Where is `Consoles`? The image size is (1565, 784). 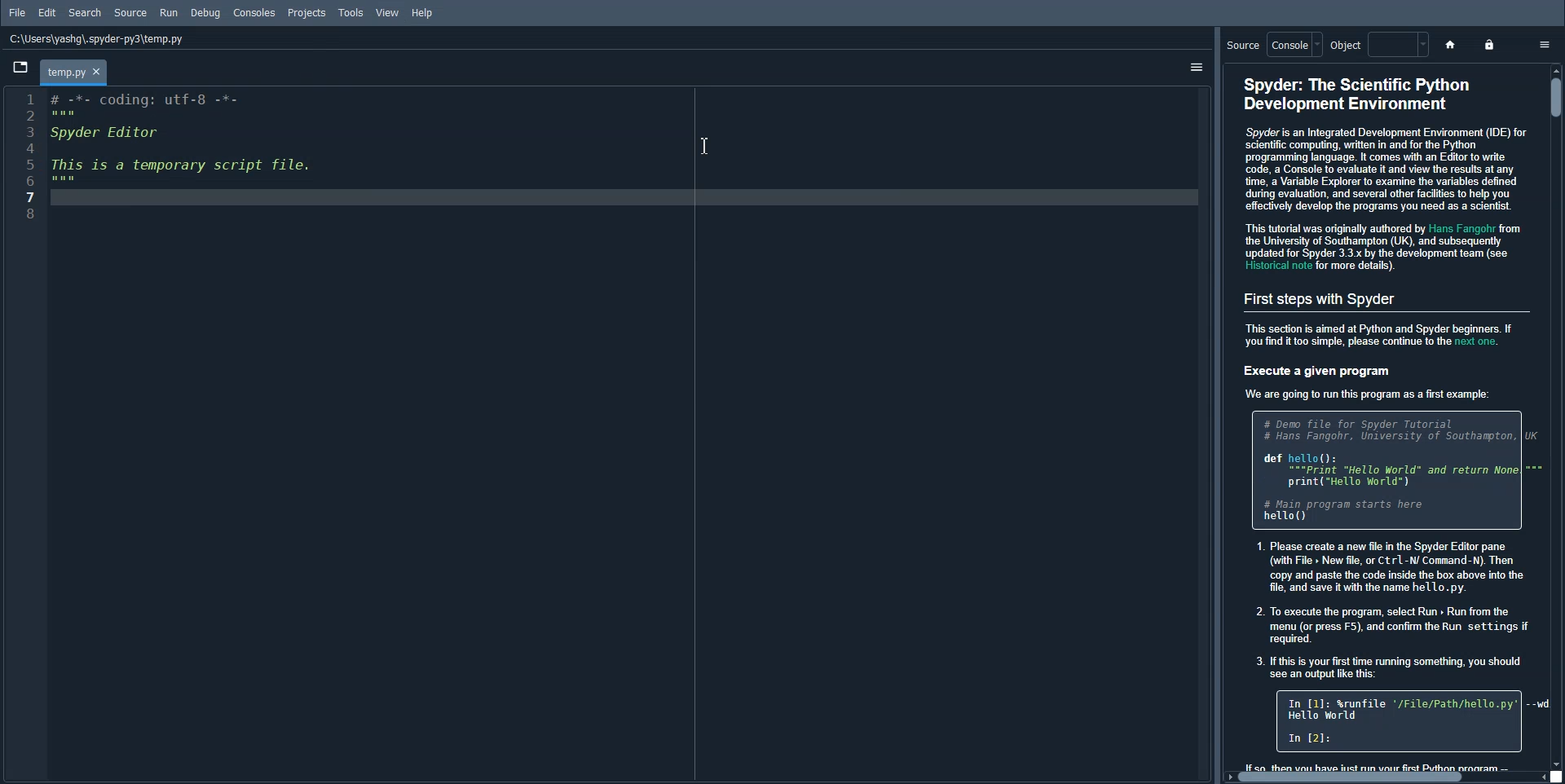
Consoles is located at coordinates (254, 13).